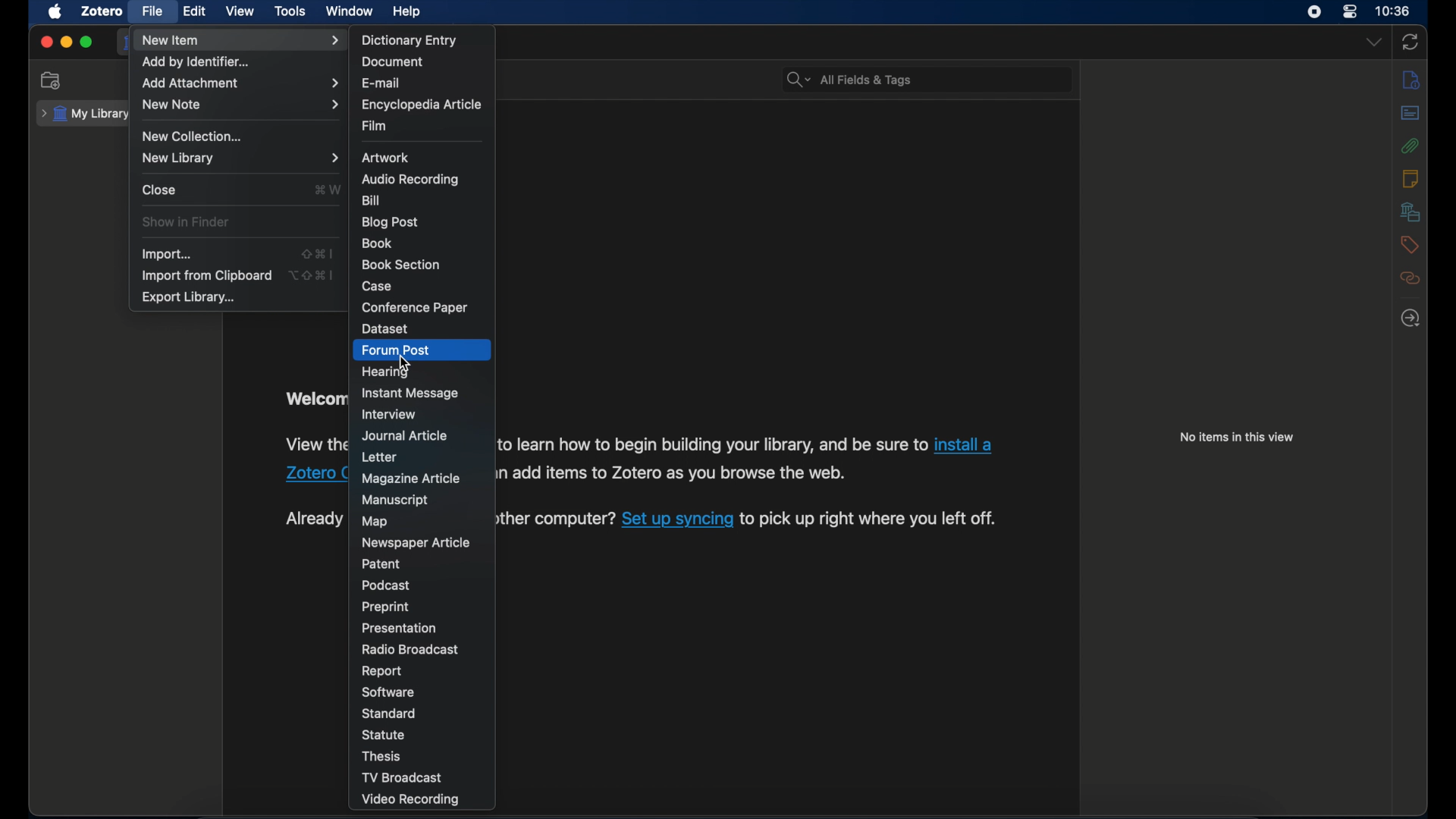 The height and width of the screenshot is (819, 1456). What do you see at coordinates (1411, 42) in the screenshot?
I see `sync` at bounding box center [1411, 42].